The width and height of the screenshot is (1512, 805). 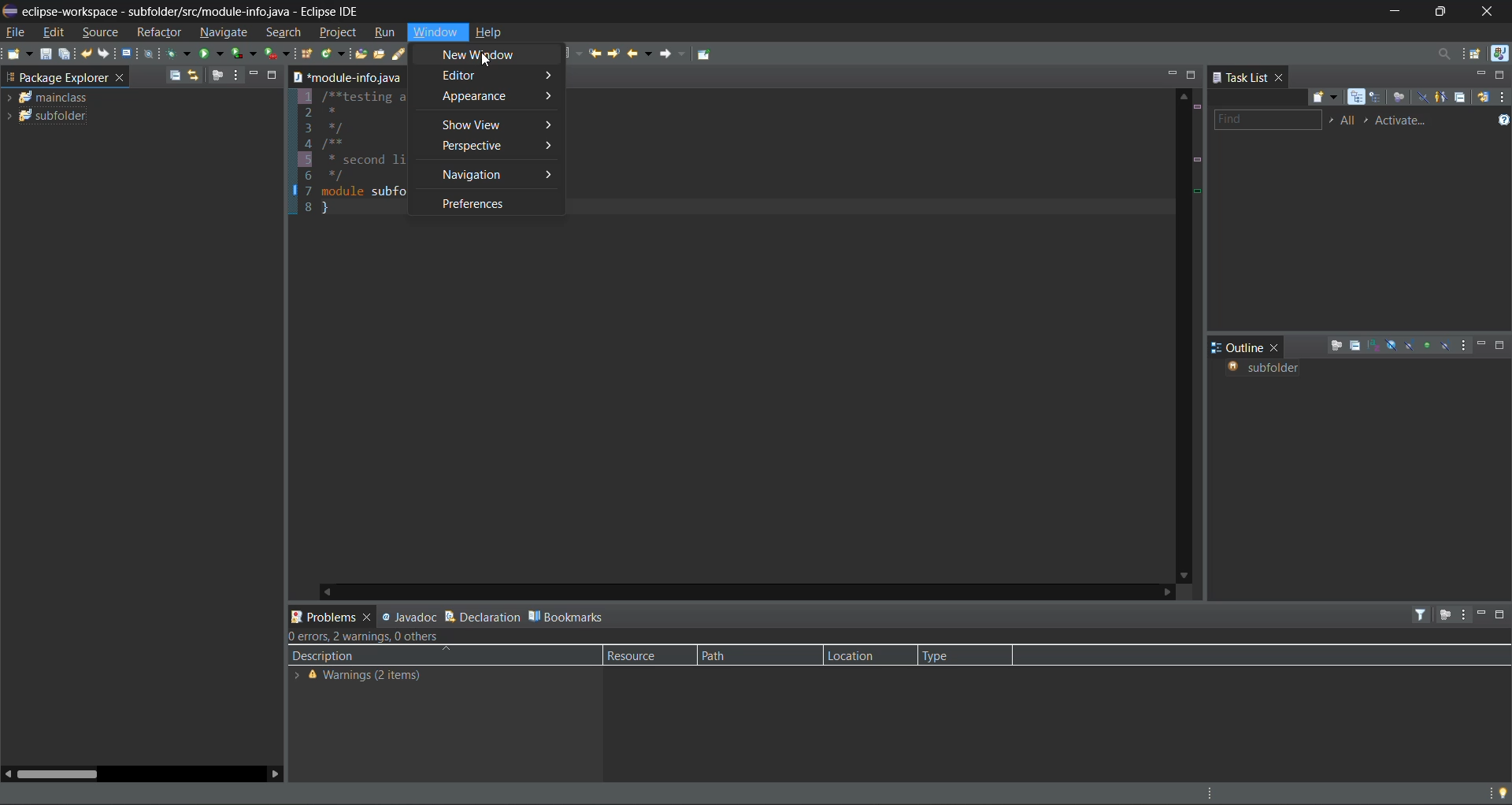 What do you see at coordinates (98, 33) in the screenshot?
I see `source` at bounding box center [98, 33].